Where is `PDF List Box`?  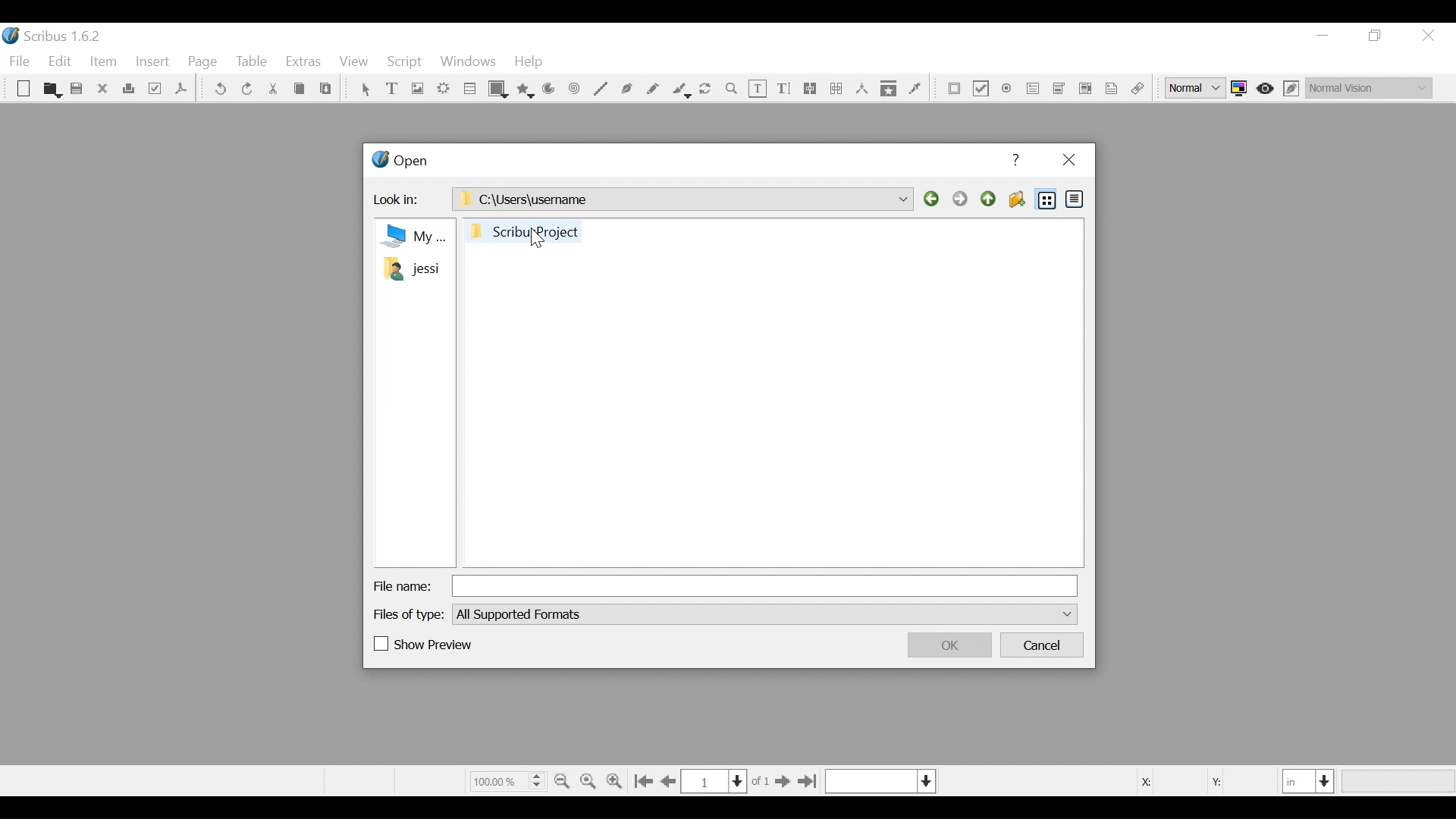
PDF List Box is located at coordinates (1059, 89).